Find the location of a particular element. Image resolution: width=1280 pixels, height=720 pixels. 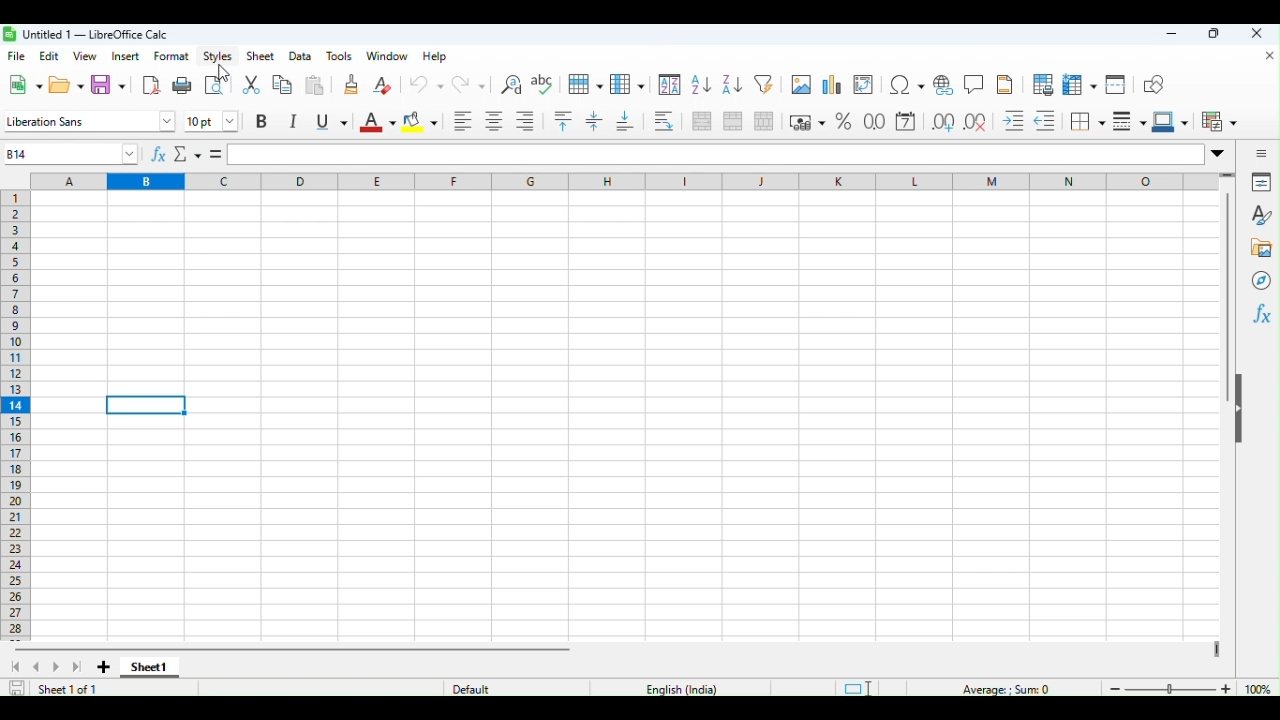

clear formatting is located at coordinates (382, 81).